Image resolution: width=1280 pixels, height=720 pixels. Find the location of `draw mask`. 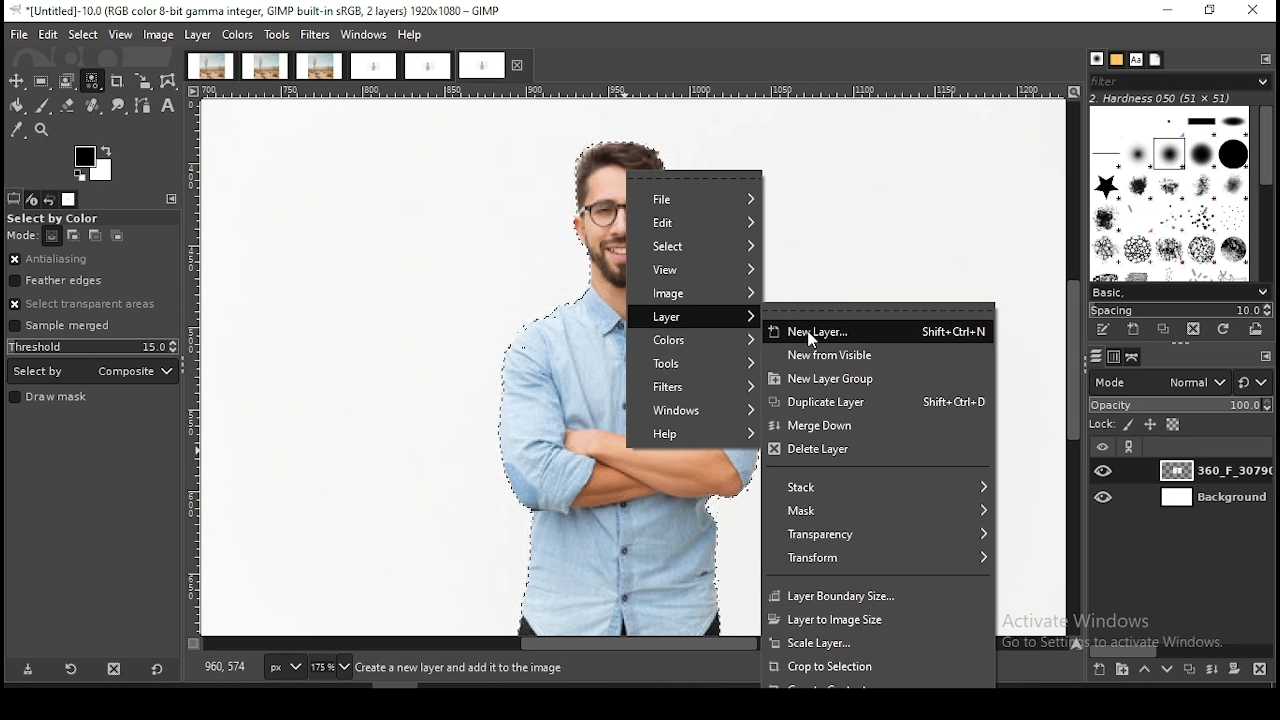

draw mask is located at coordinates (51, 398).